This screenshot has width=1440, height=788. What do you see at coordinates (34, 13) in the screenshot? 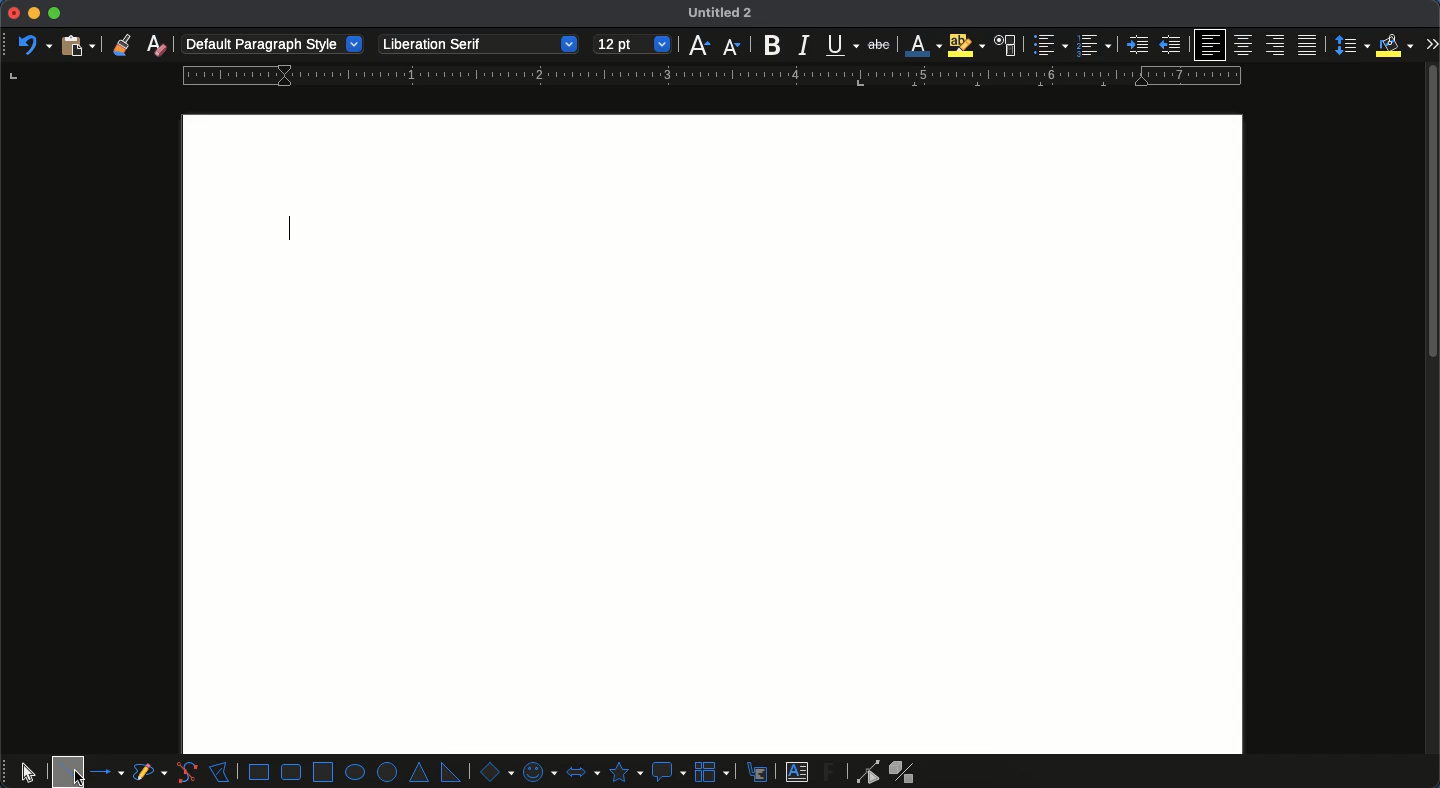
I see `minimize` at bounding box center [34, 13].